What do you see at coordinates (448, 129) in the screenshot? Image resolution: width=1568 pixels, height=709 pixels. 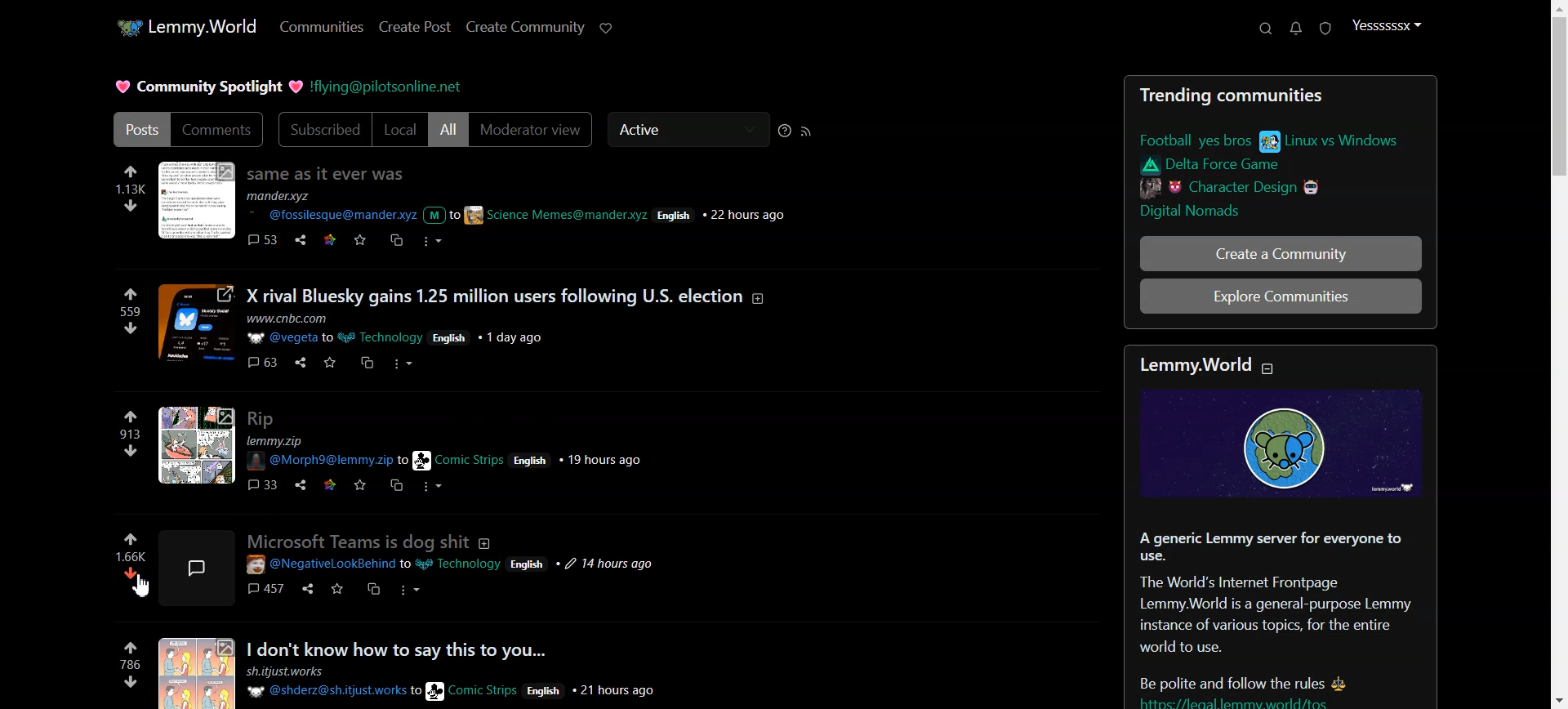 I see `All` at bounding box center [448, 129].